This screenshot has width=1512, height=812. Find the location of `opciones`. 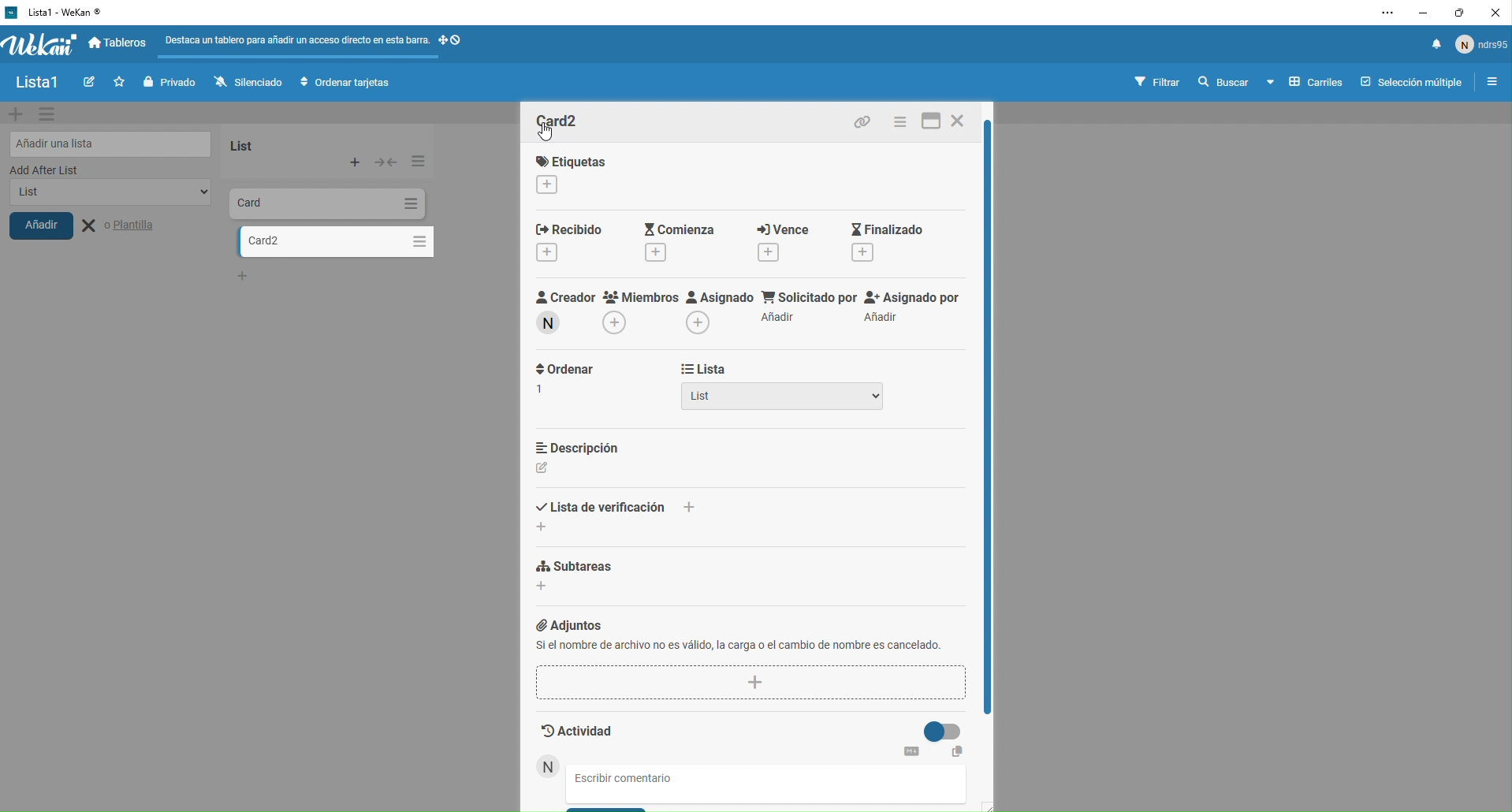

opciones is located at coordinates (1488, 84).